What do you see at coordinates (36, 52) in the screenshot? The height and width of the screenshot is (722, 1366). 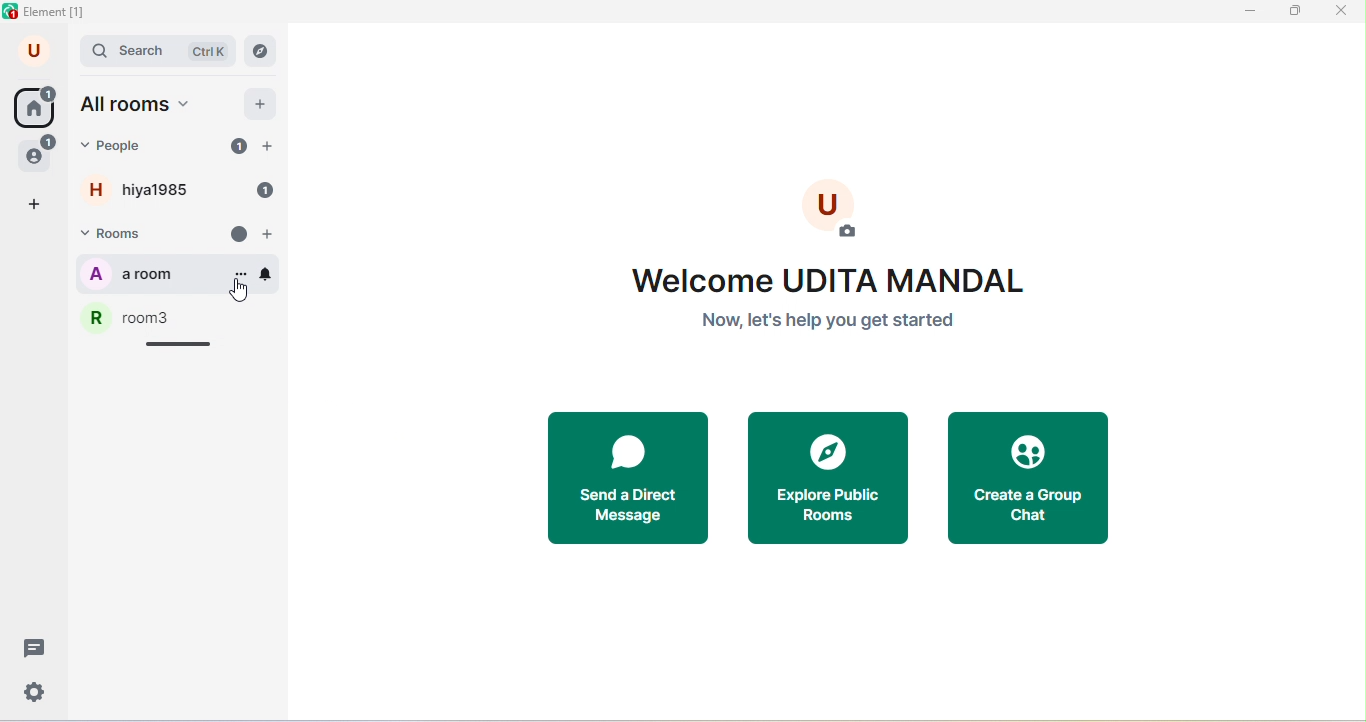 I see `account` at bounding box center [36, 52].